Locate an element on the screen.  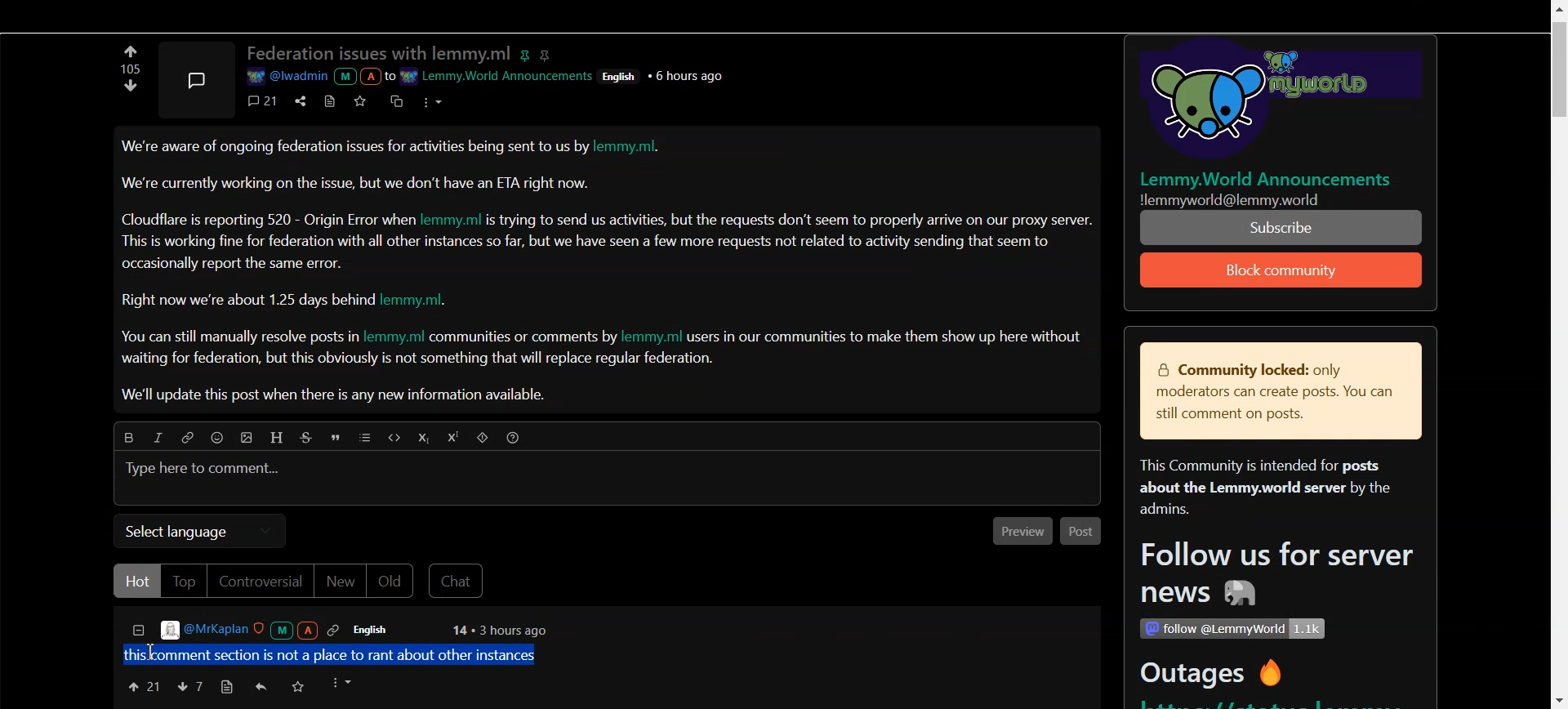
Picture is located at coordinates (195, 77).